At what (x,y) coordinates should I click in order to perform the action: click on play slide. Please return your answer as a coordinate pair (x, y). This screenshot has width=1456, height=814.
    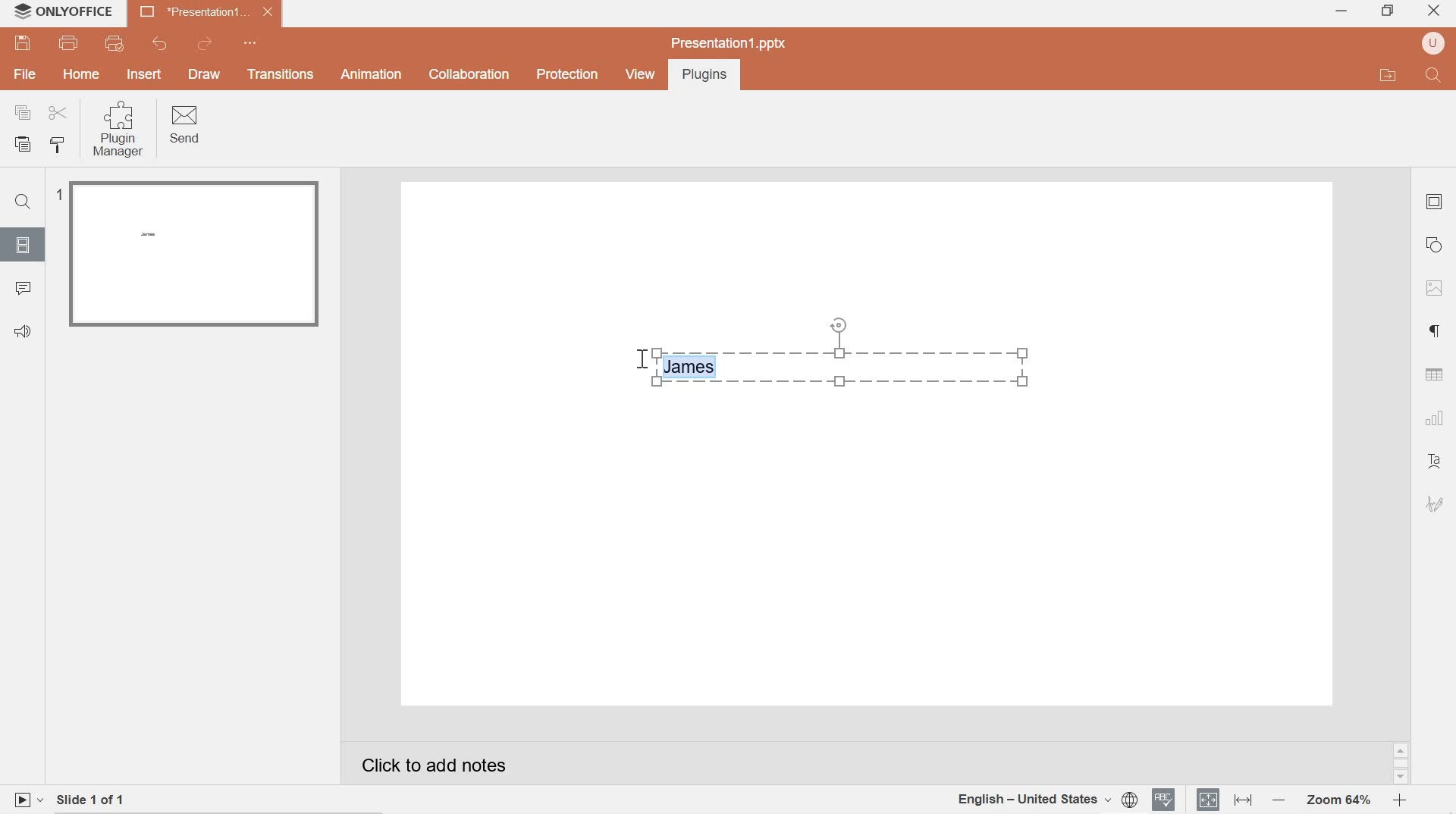
    Looking at the image, I should click on (27, 799).